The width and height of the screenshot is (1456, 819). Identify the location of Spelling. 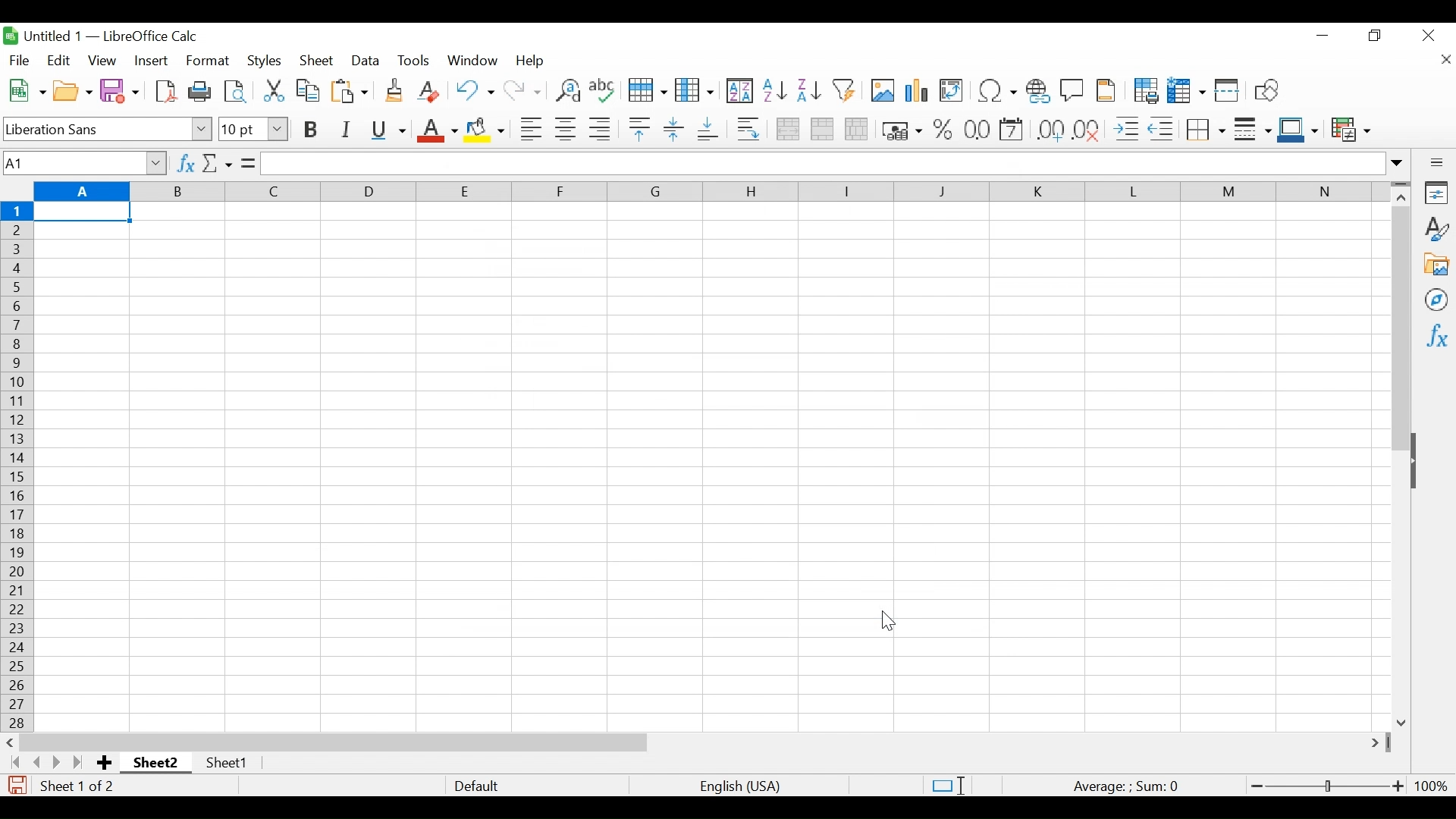
(601, 91).